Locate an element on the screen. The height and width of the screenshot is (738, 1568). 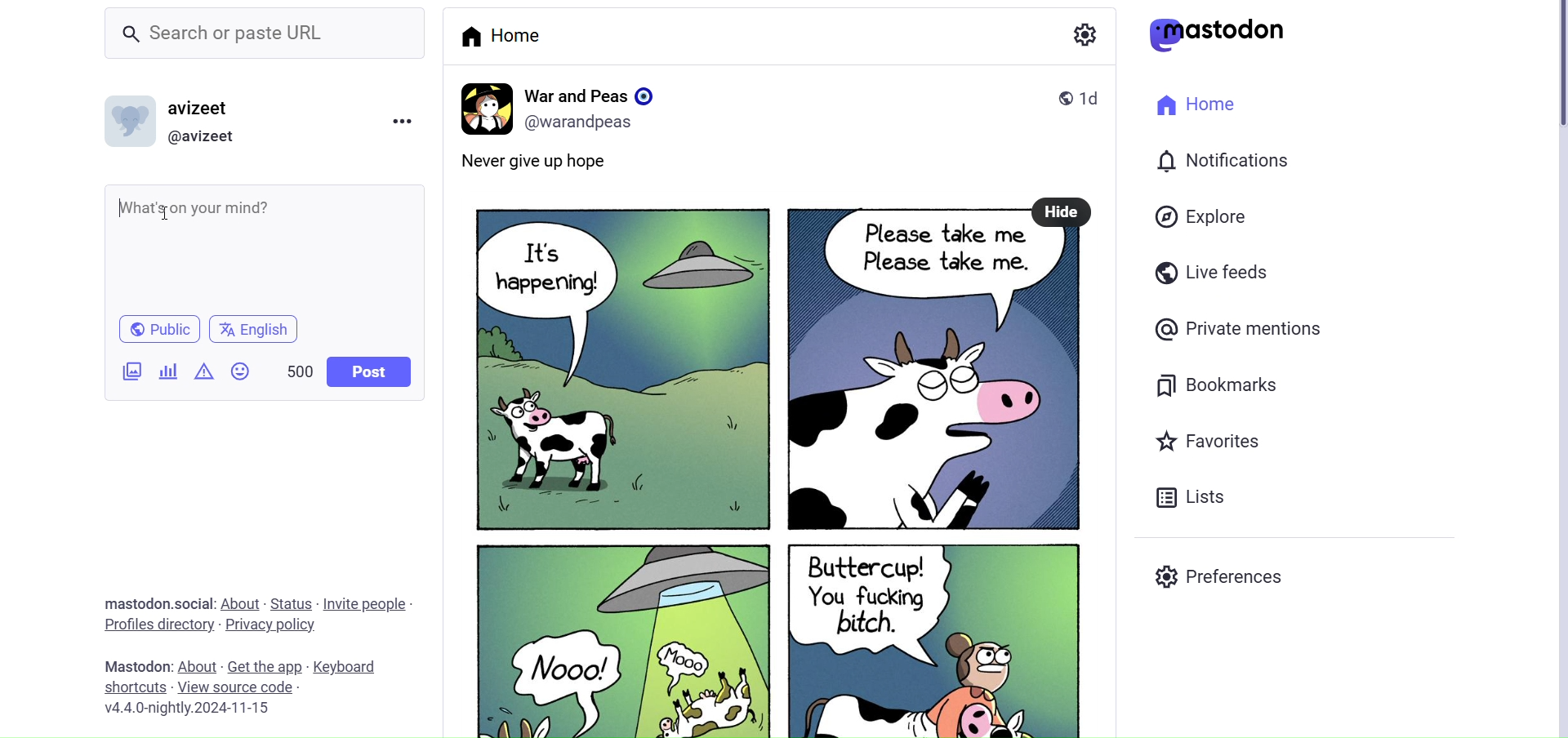
Add Images is located at coordinates (131, 370).